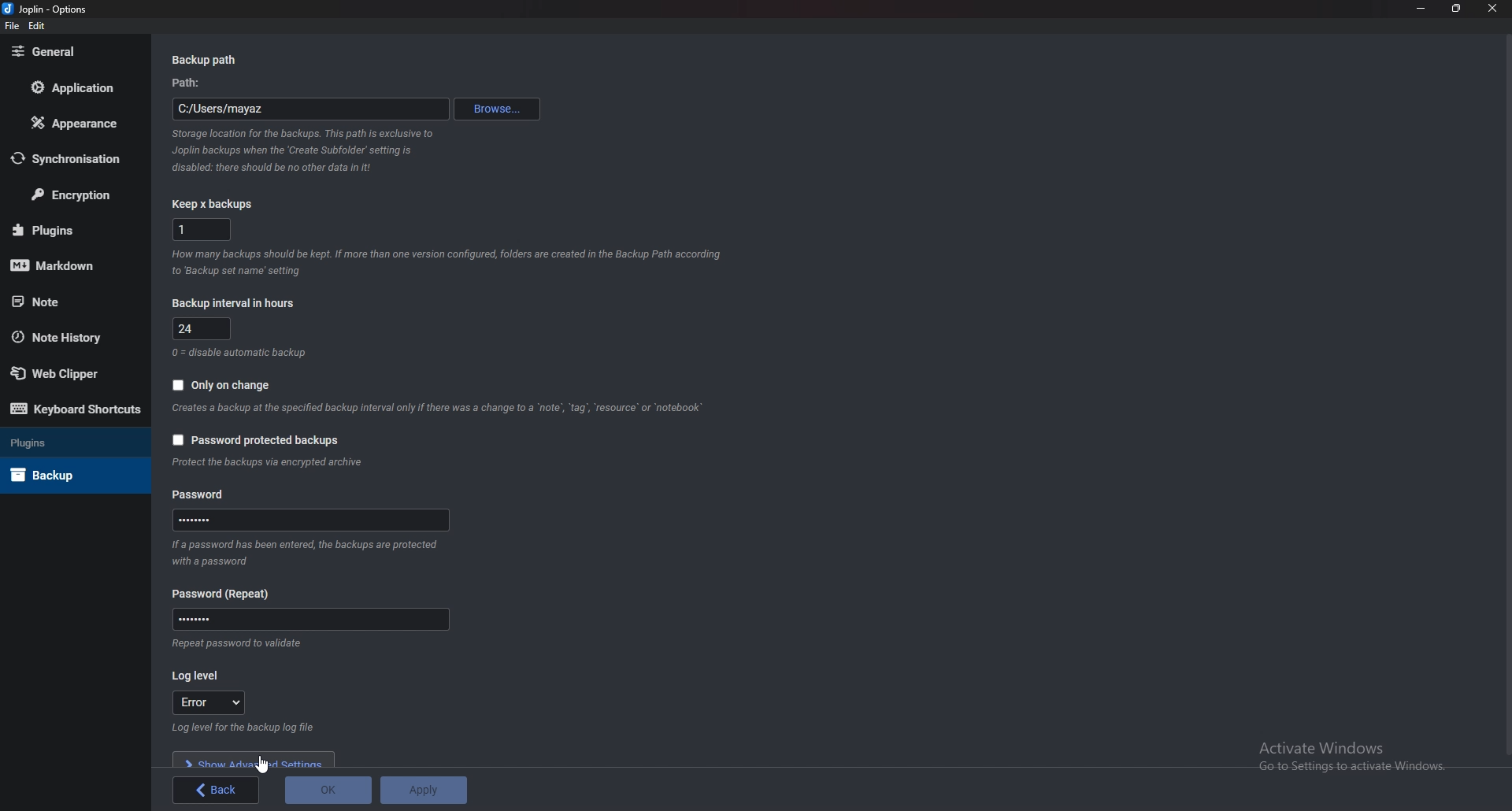 Image resolution: width=1512 pixels, height=811 pixels. I want to click on Info on password, so click(232, 644).